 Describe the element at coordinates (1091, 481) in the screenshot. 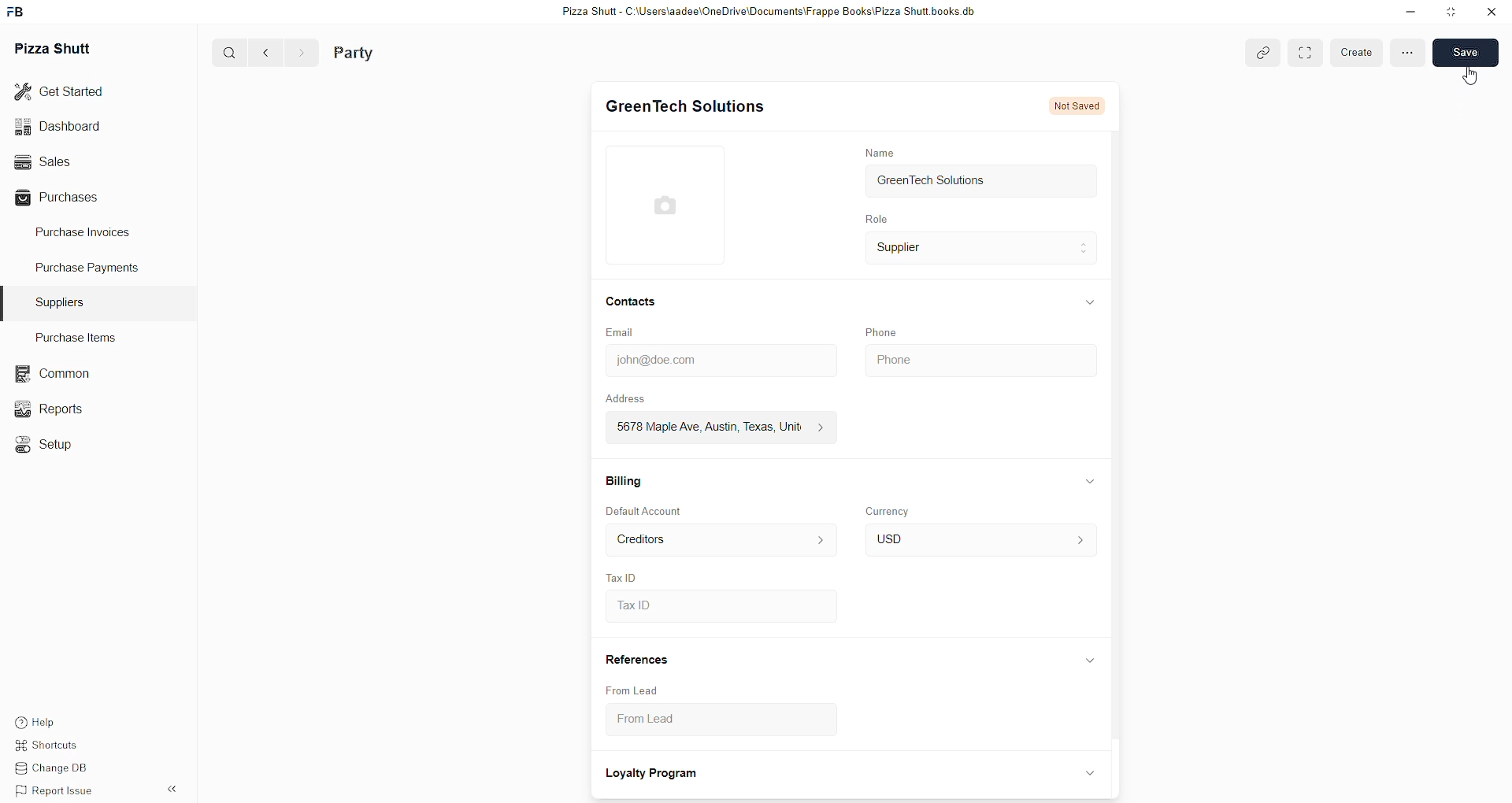

I see `hide` at that location.